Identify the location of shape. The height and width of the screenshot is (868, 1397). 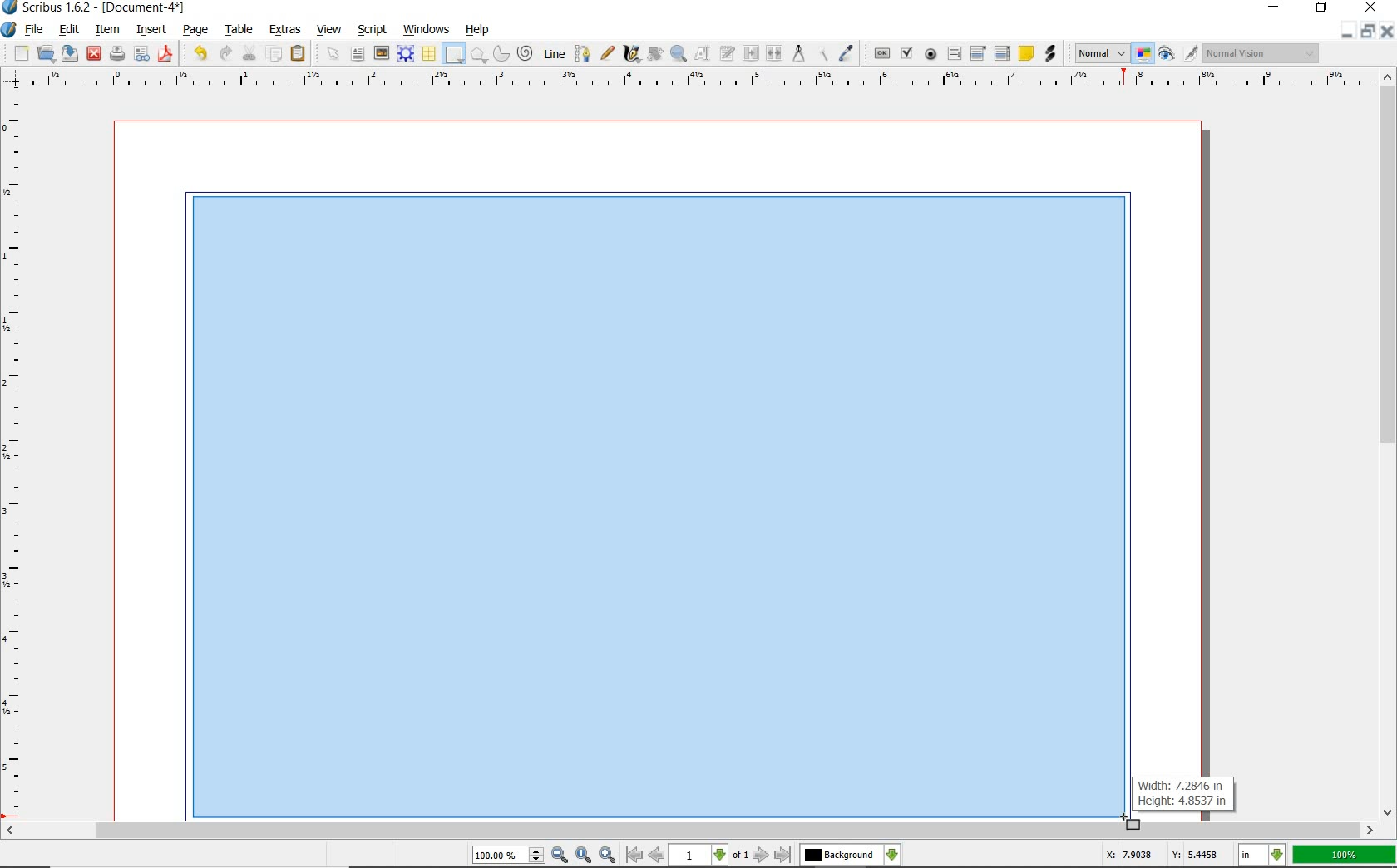
(454, 55).